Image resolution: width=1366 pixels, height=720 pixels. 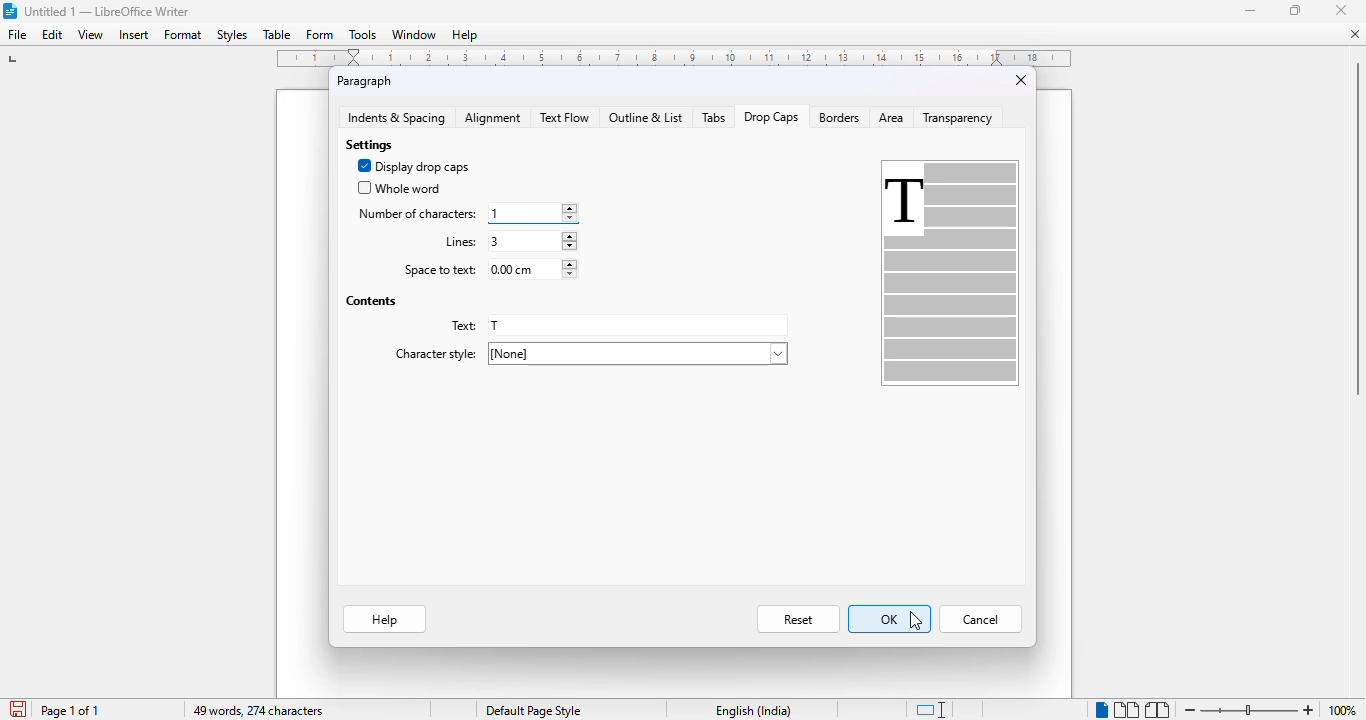 What do you see at coordinates (591, 353) in the screenshot?
I see `character style: [None]` at bounding box center [591, 353].